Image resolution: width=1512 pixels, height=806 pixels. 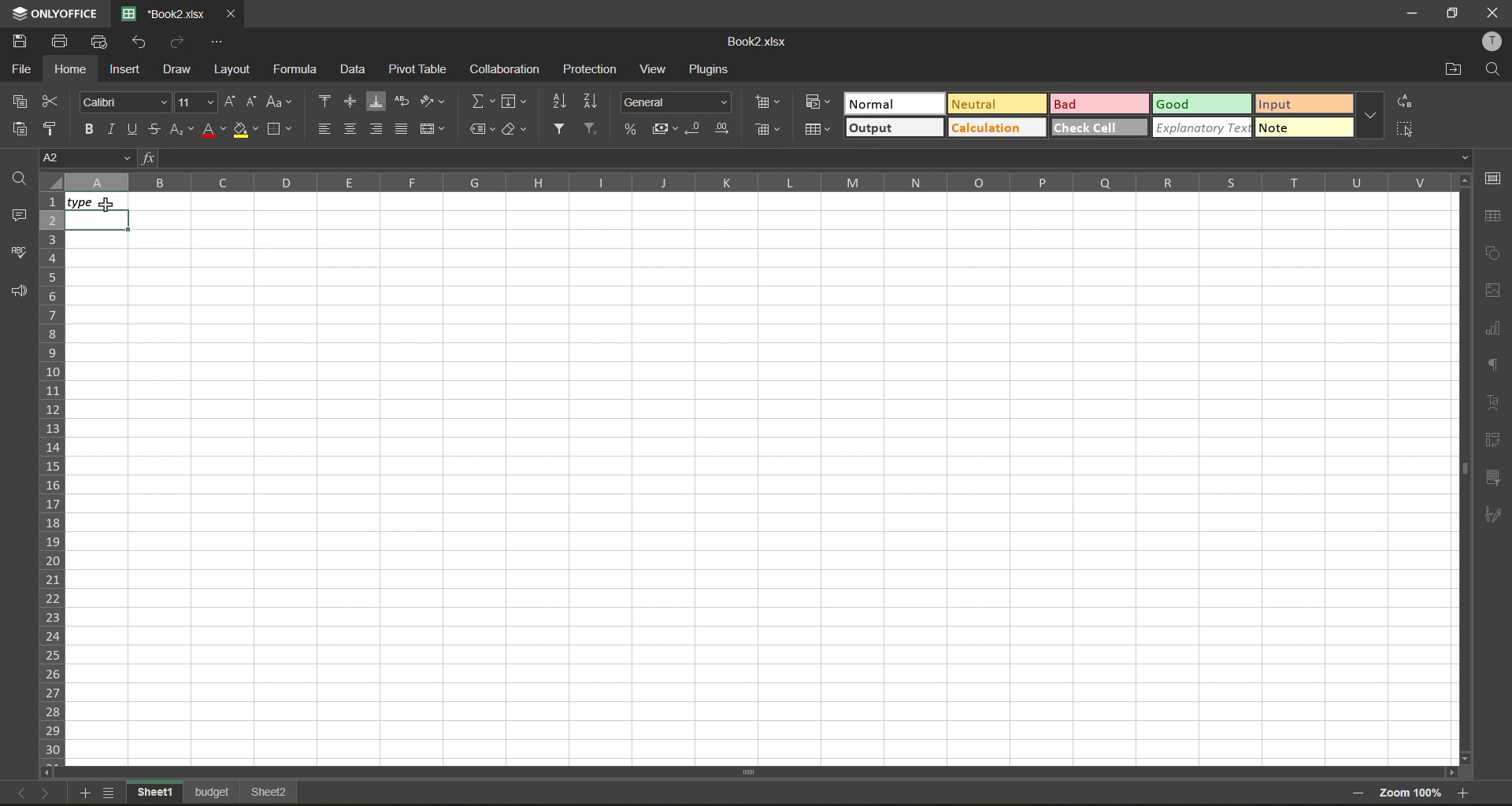 I want to click on formula bar, so click(x=807, y=159).